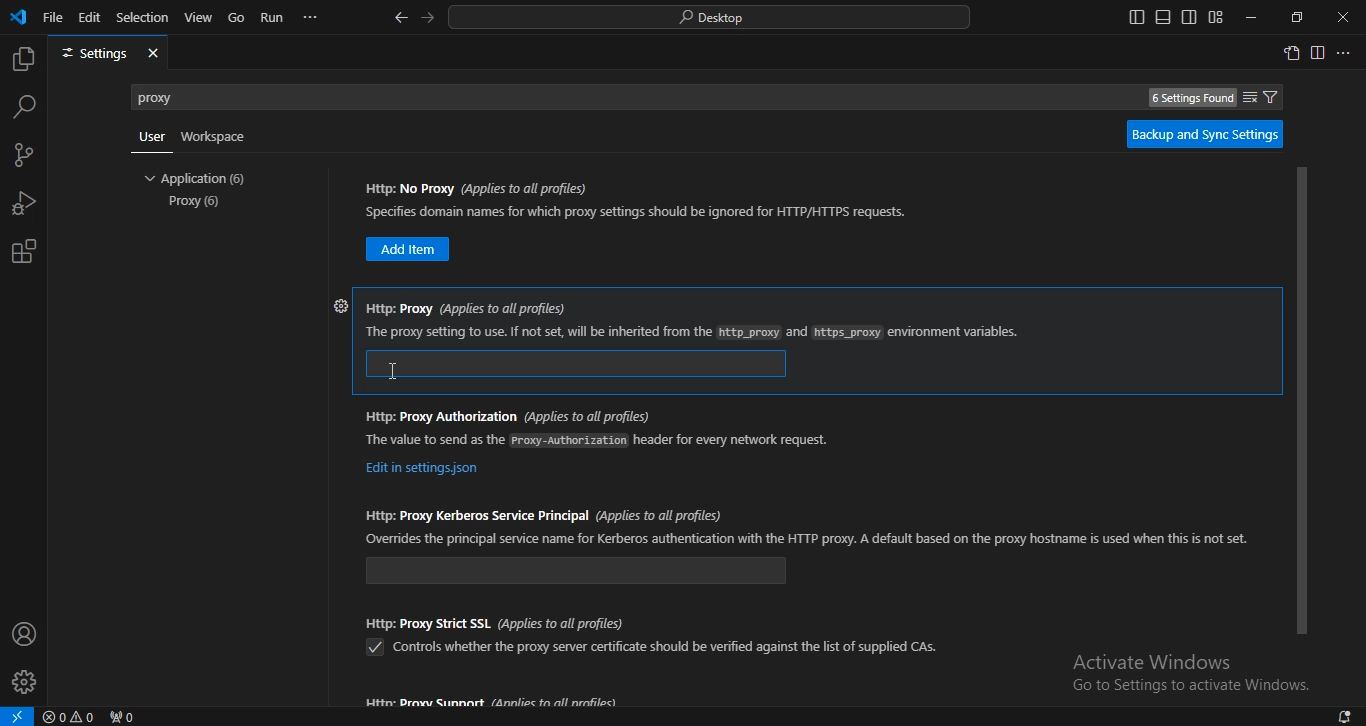 Image resolution: width=1366 pixels, height=726 pixels. I want to click on explorer, so click(23, 58).